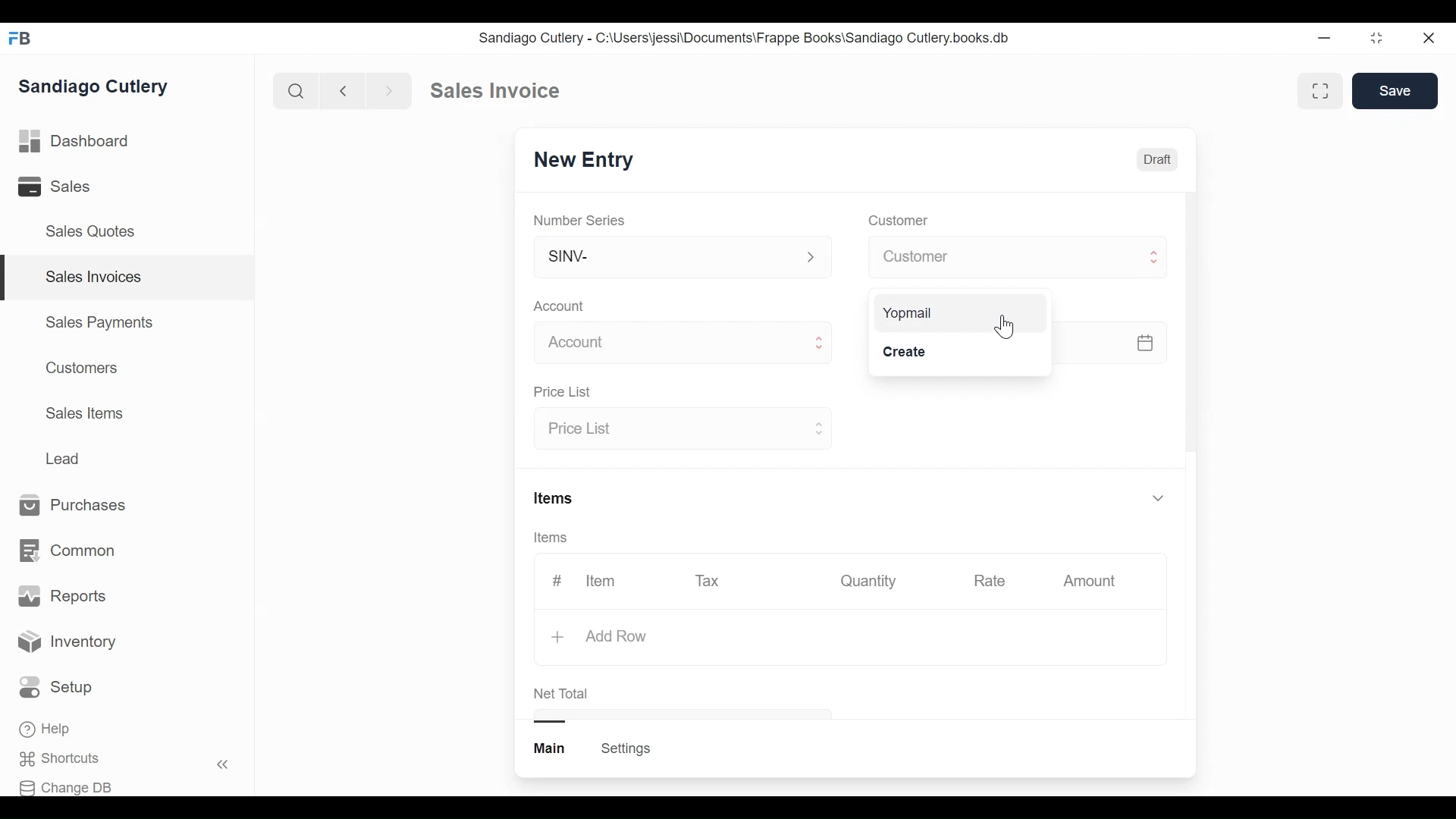 The height and width of the screenshot is (819, 1456). What do you see at coordinates (870, 581) in the screenshot?
I see `Quantity` at bounding box center [870, 581].